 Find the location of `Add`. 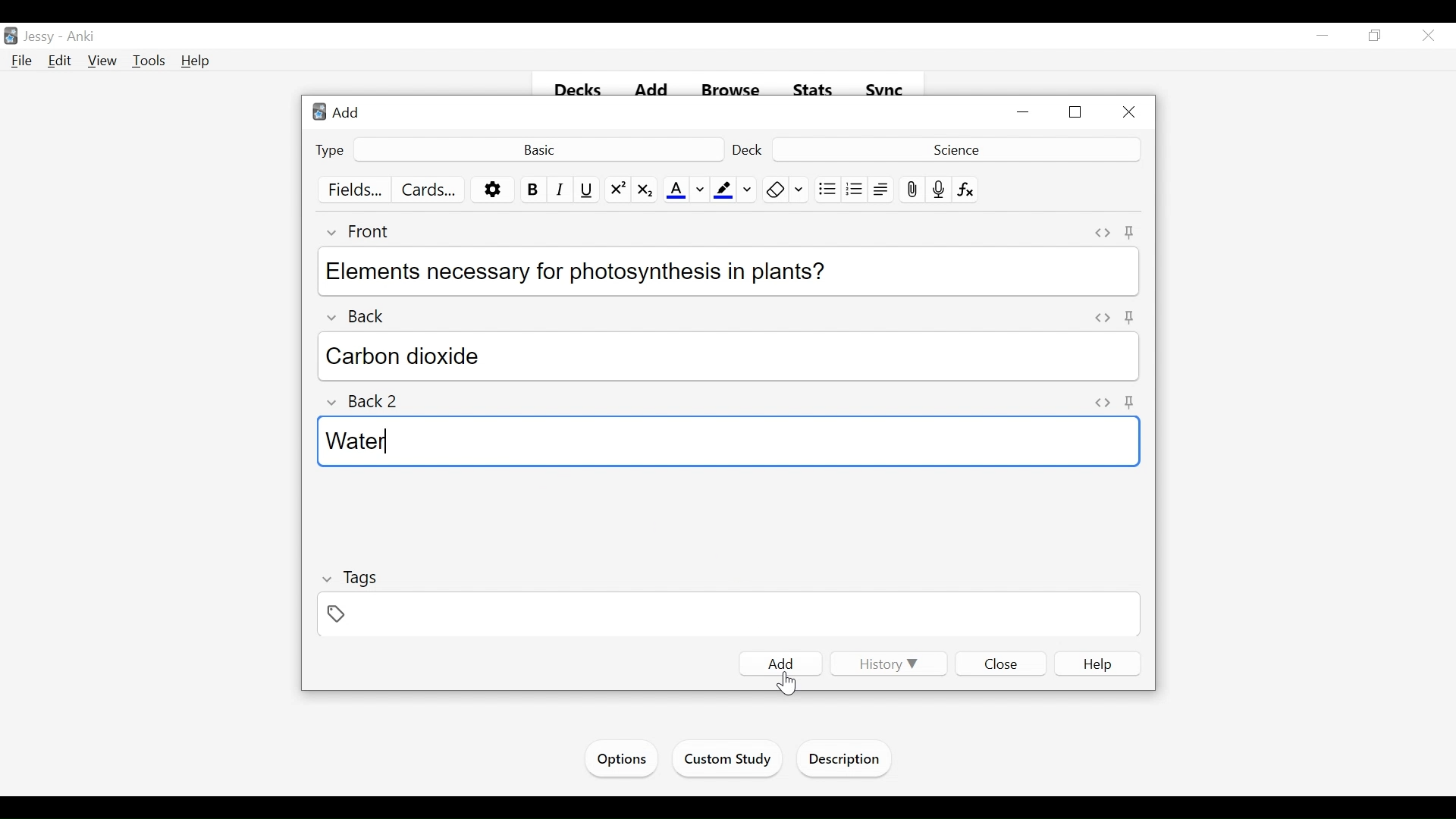

Add is located at coordinates (340, 111).